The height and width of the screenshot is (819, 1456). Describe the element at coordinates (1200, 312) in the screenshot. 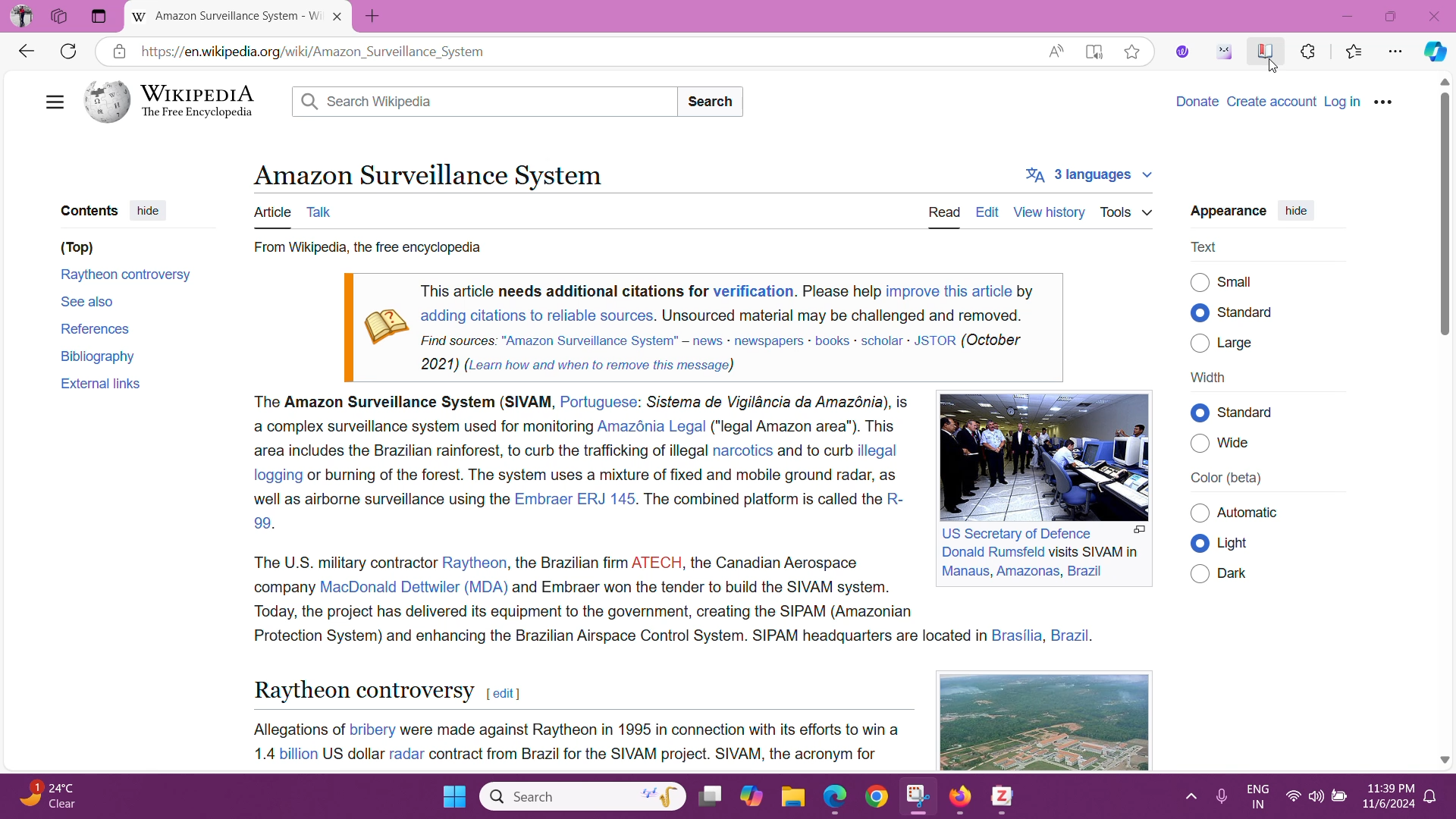

I see `Selected` at that location.